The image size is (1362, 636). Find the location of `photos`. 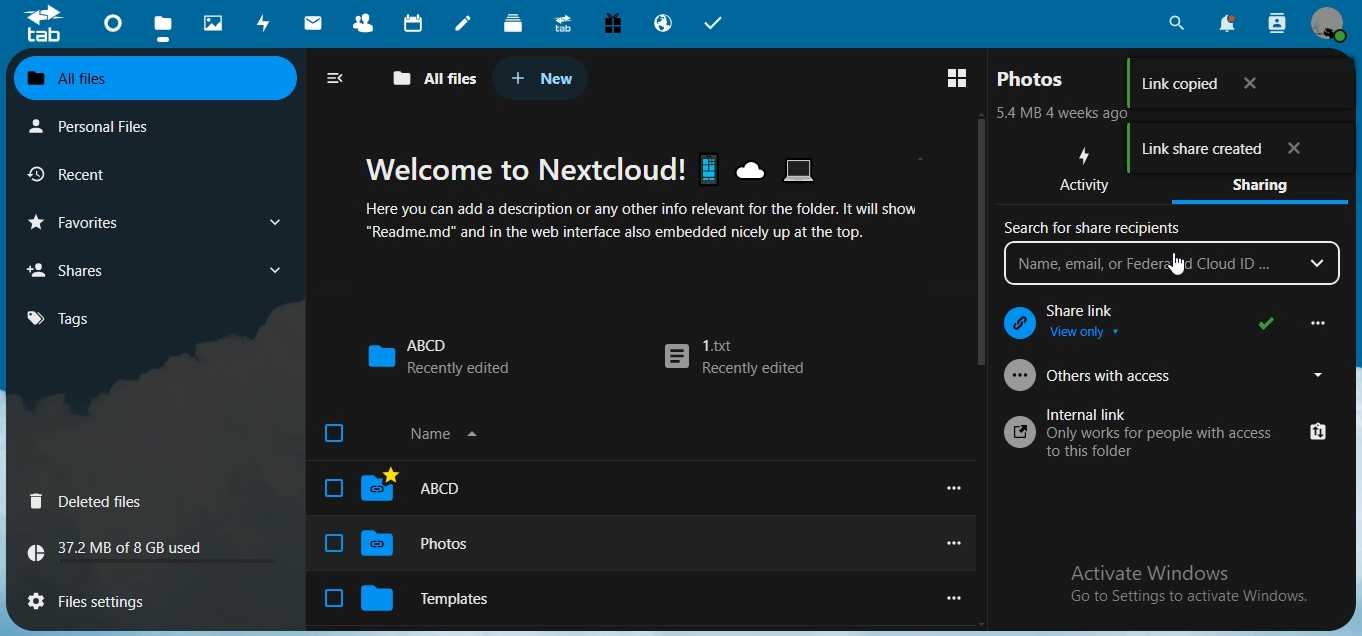

photos is located at coordinates (1033, 79).